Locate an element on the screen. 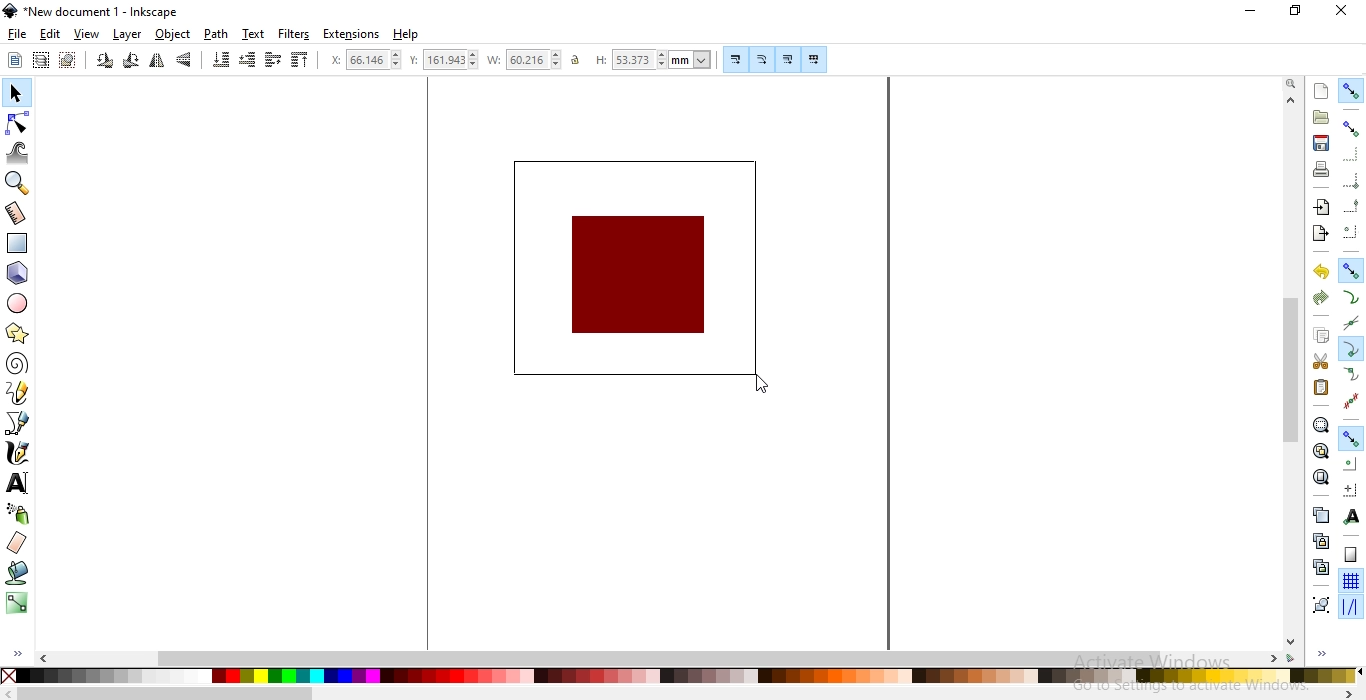 The width and height of the screenshot is (1366, 700). 66.146 is located at coordinates (375, 59).